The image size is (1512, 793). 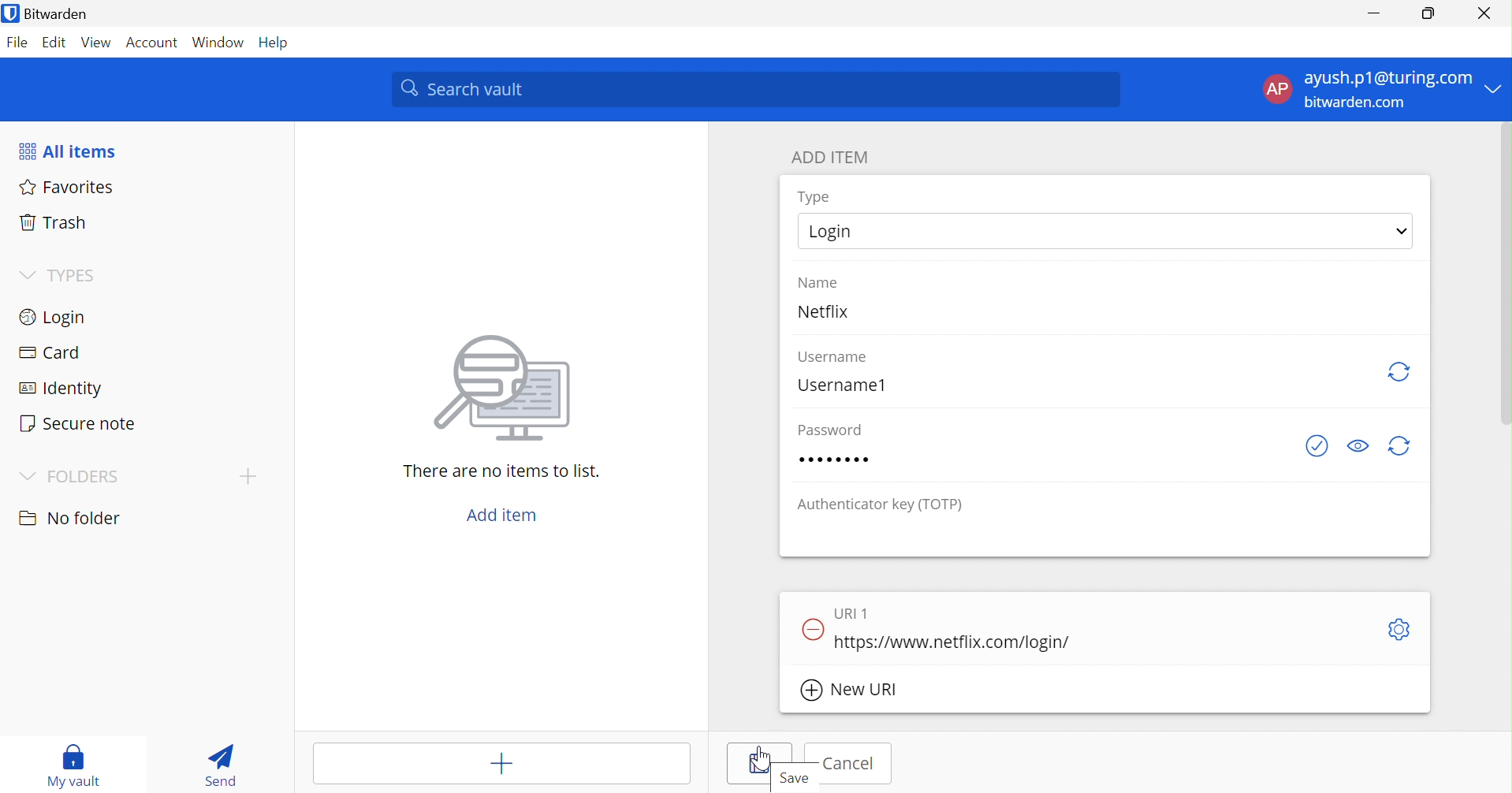 I want to click on Restore down, so click(x=1431, y=14).